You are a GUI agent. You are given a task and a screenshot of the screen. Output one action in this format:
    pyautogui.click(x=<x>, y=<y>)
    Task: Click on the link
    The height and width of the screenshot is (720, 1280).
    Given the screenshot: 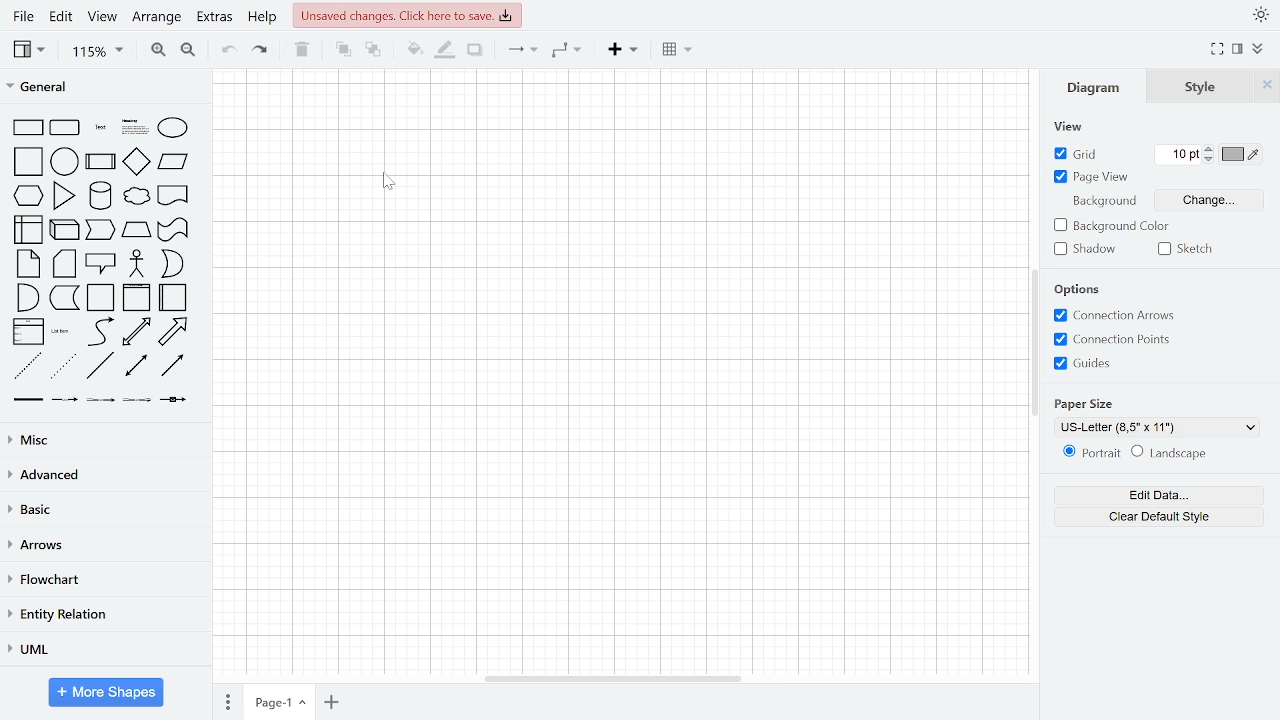 What is the action you would take?
    pyautogui.click(x=28, y=401)
    